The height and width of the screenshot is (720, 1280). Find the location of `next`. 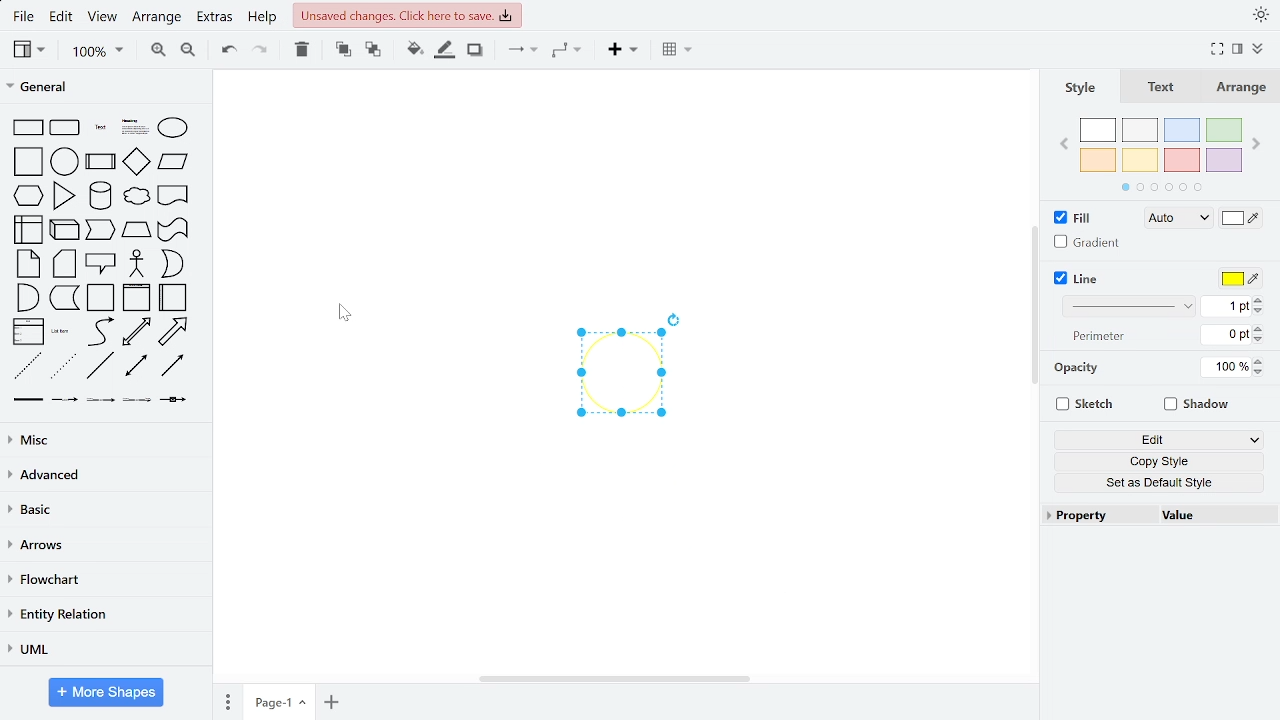

next is located at coordinates (1256, 145).